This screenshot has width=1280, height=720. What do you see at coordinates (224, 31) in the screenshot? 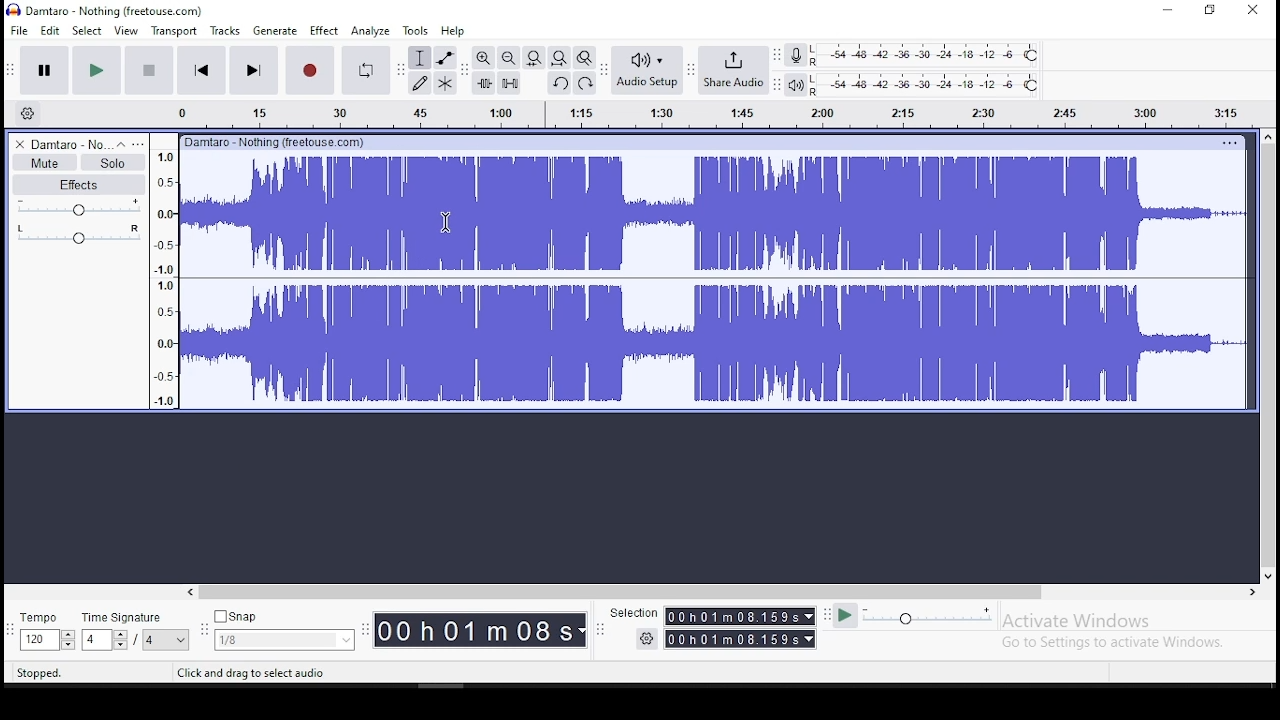
I see `tracks` at bounding box center [224, 31].